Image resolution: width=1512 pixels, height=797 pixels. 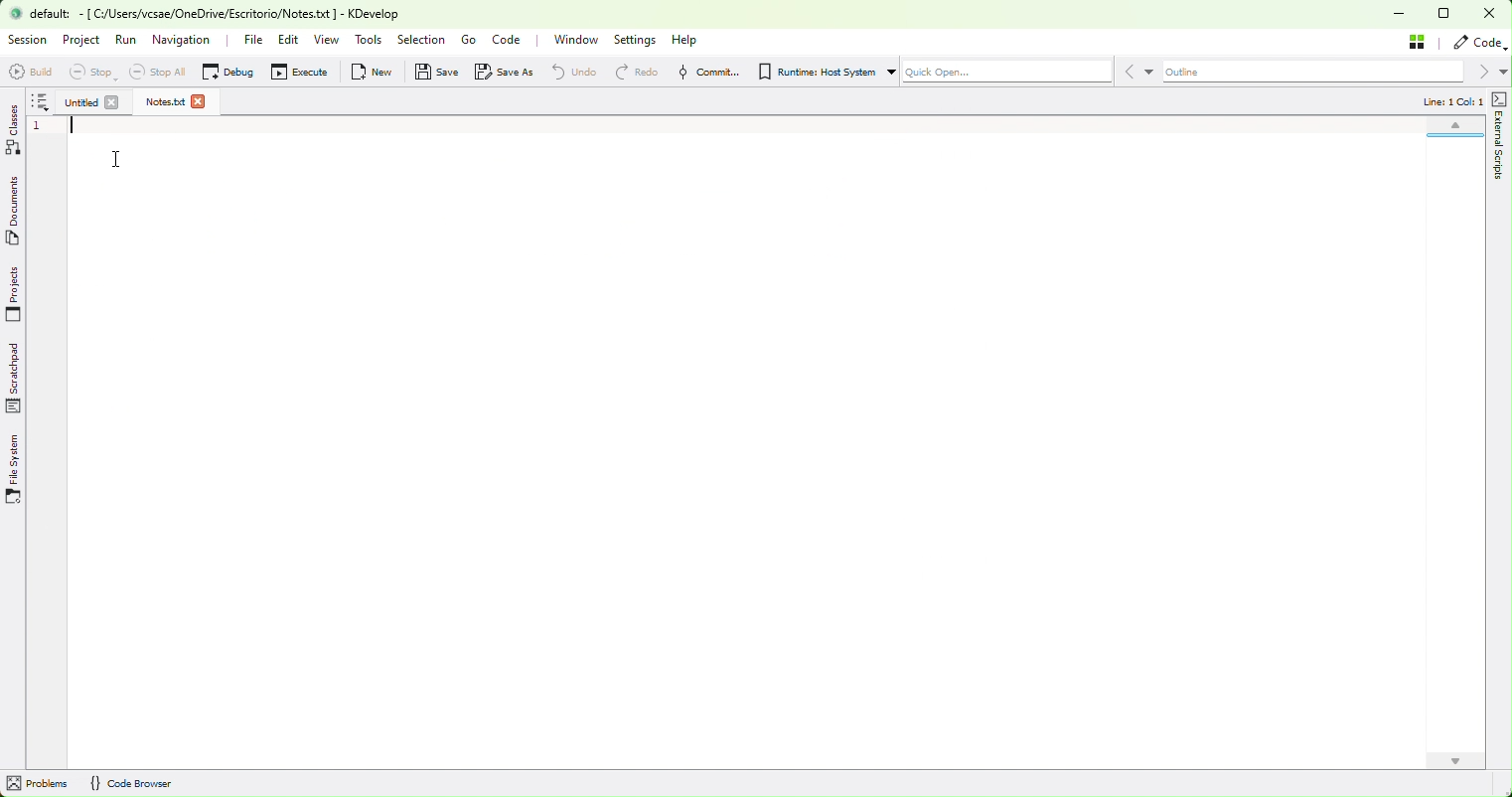 I want to click on Outline, so click(x=1311, y=73).